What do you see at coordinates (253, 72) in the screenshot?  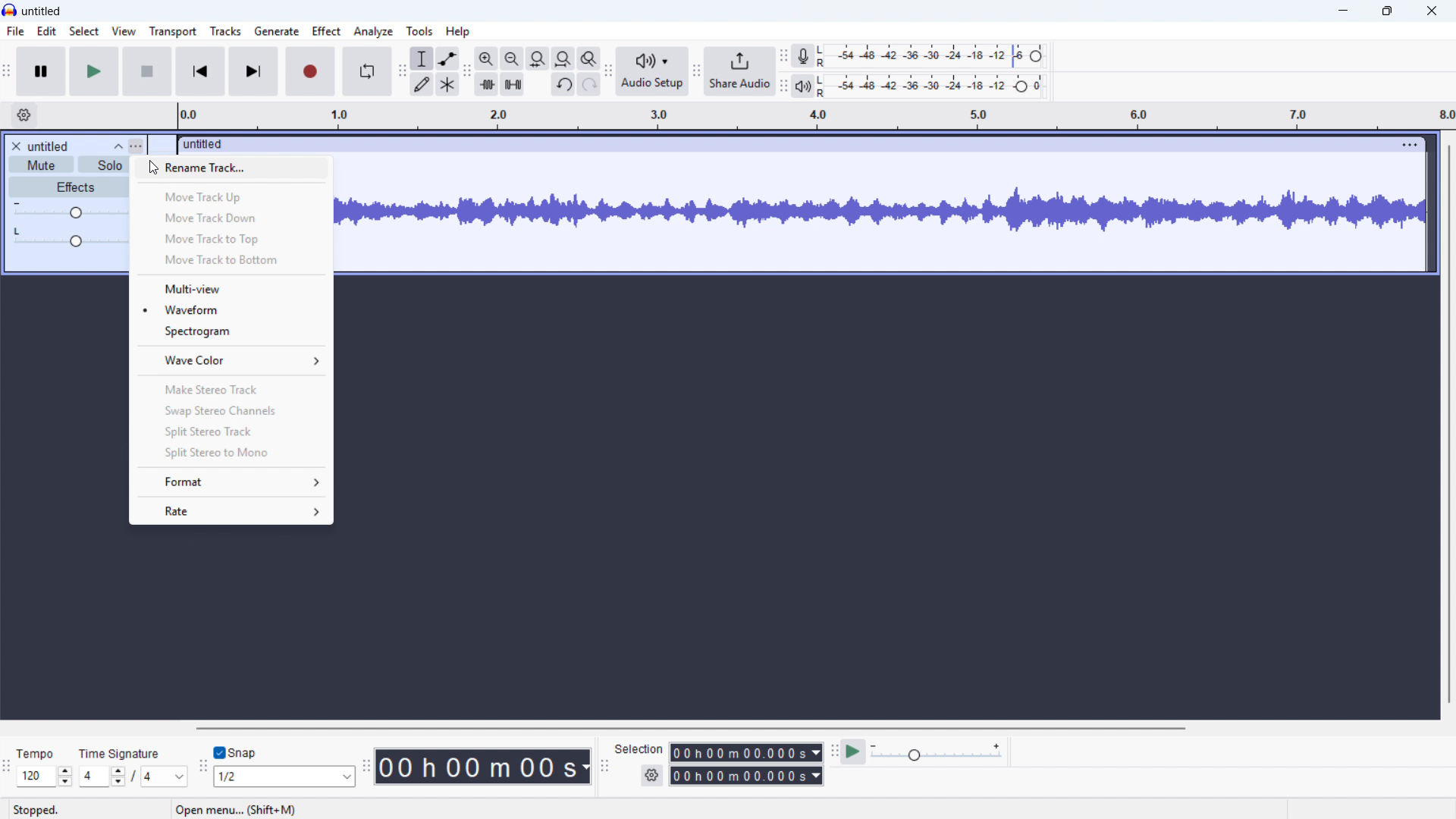 I see `Skip to end ` at bounding box center [253, 72].